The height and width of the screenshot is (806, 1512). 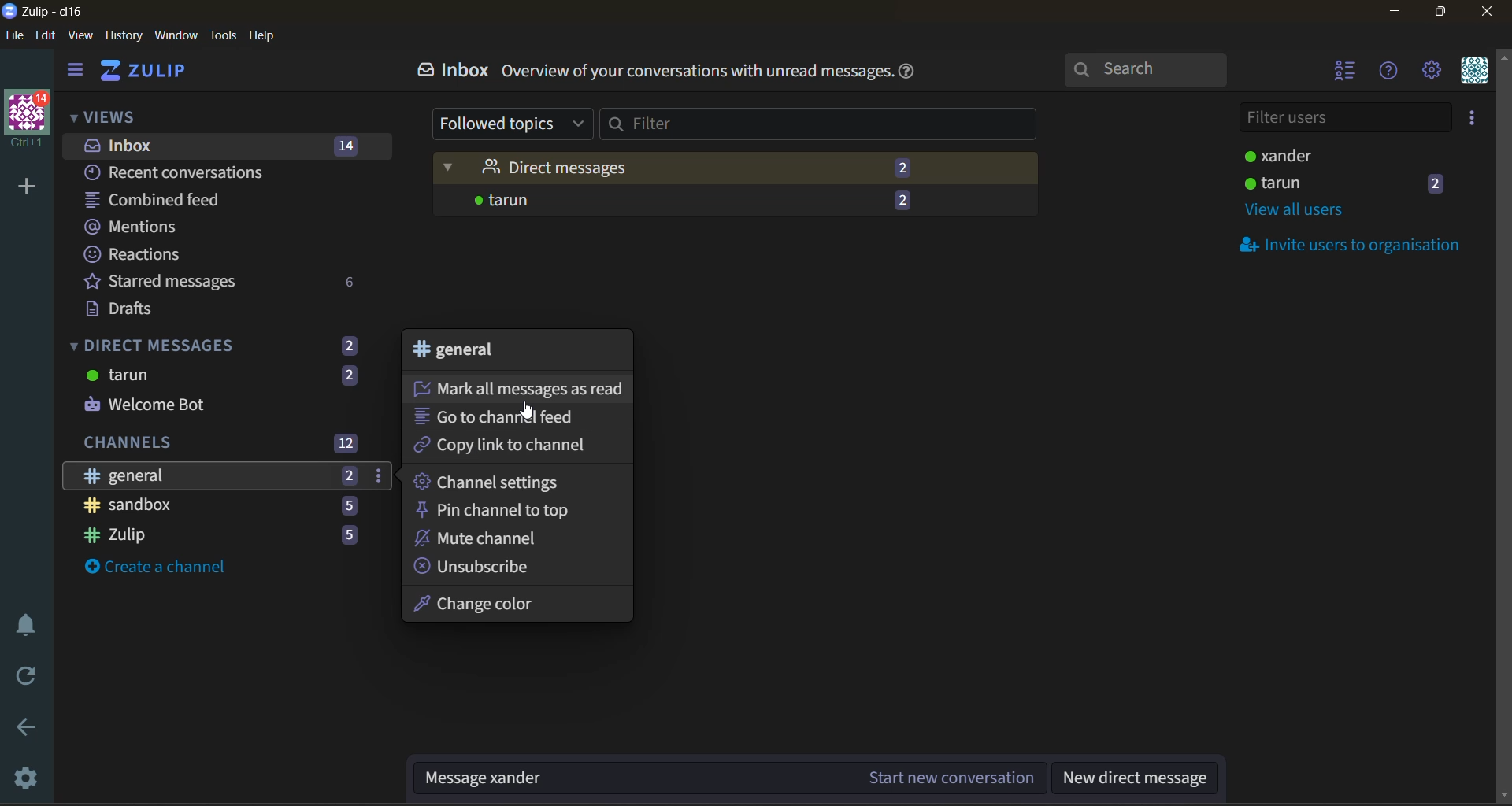 I want to click on application logo and name, so click(x=48, y=13).